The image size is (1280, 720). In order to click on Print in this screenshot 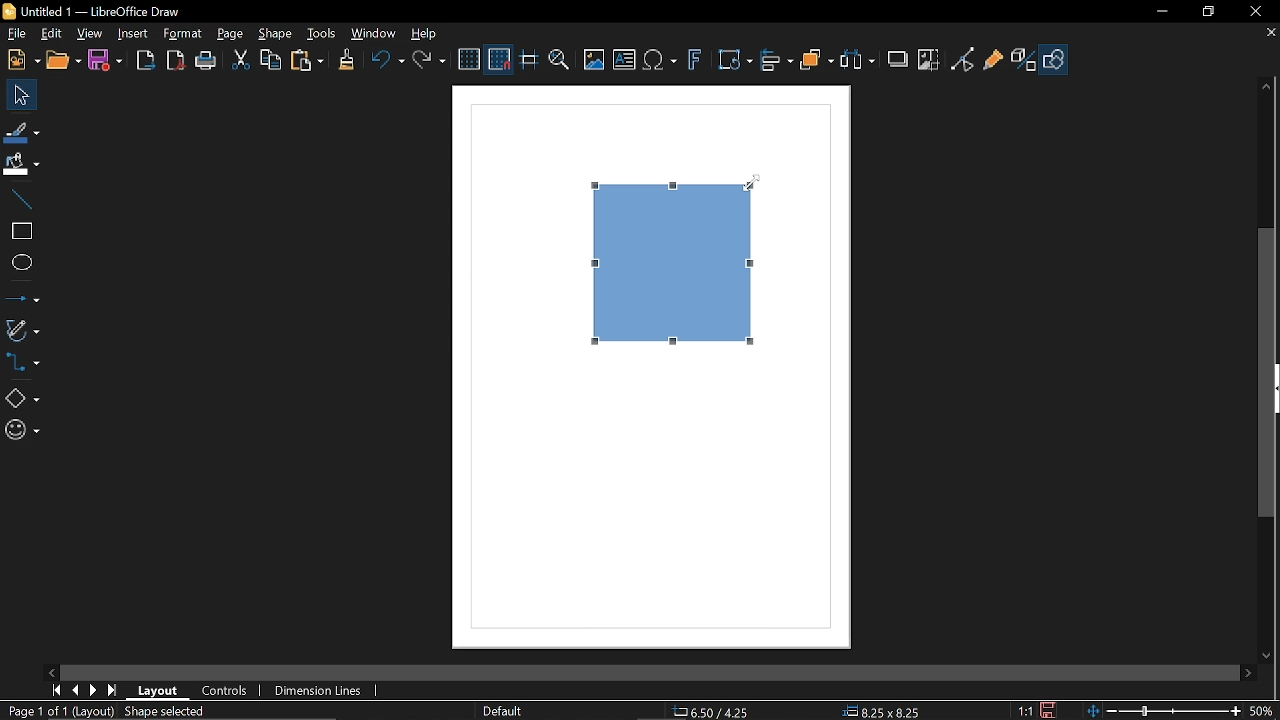, I will do `click(206, 61)`.